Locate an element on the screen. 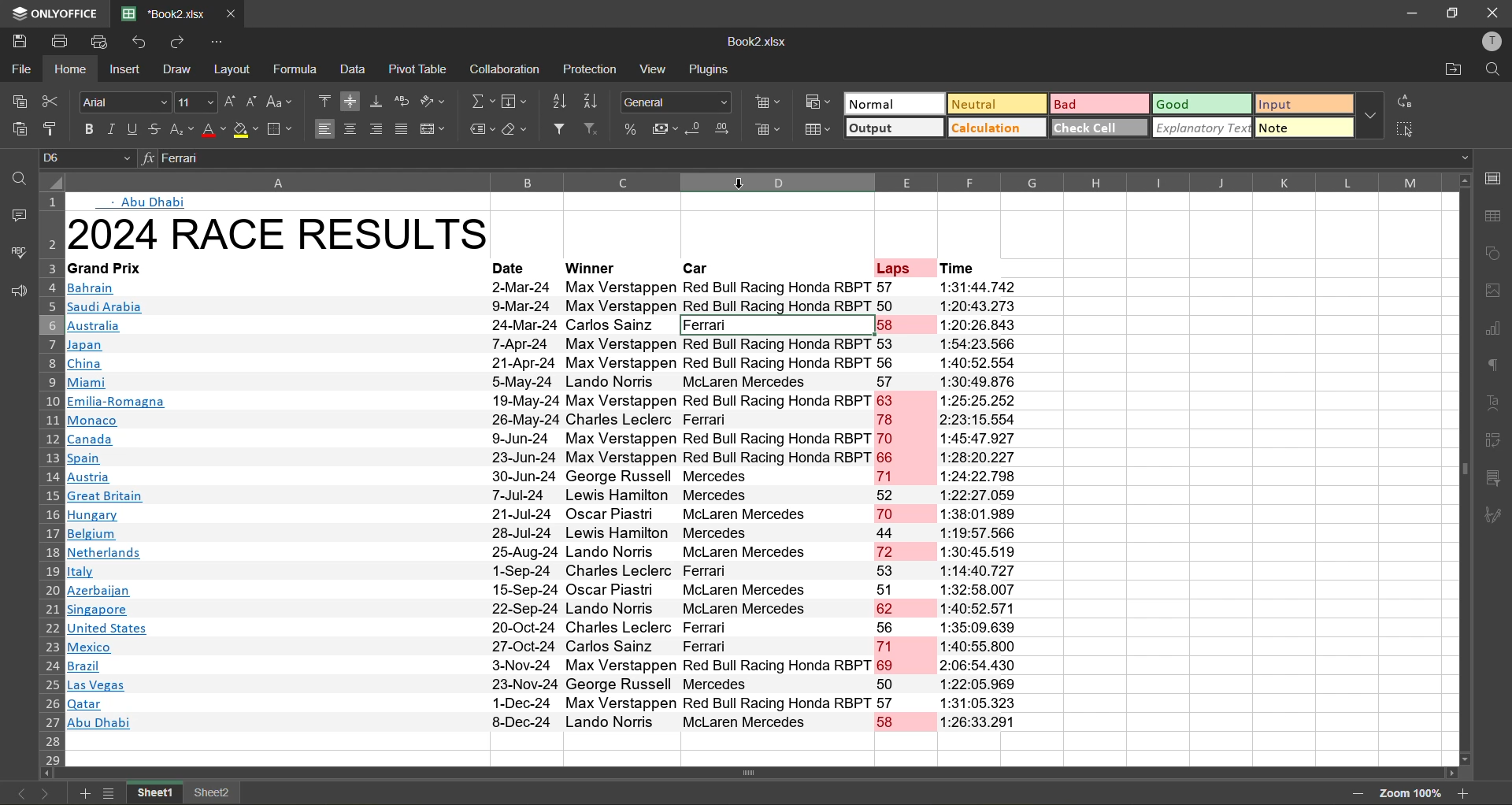 This screenshot has width=1512, height=805. United States 20-Oct-24 Charles Leclerc Ferrari 56 1:35:09.639 is located at coordinates (549, 627).